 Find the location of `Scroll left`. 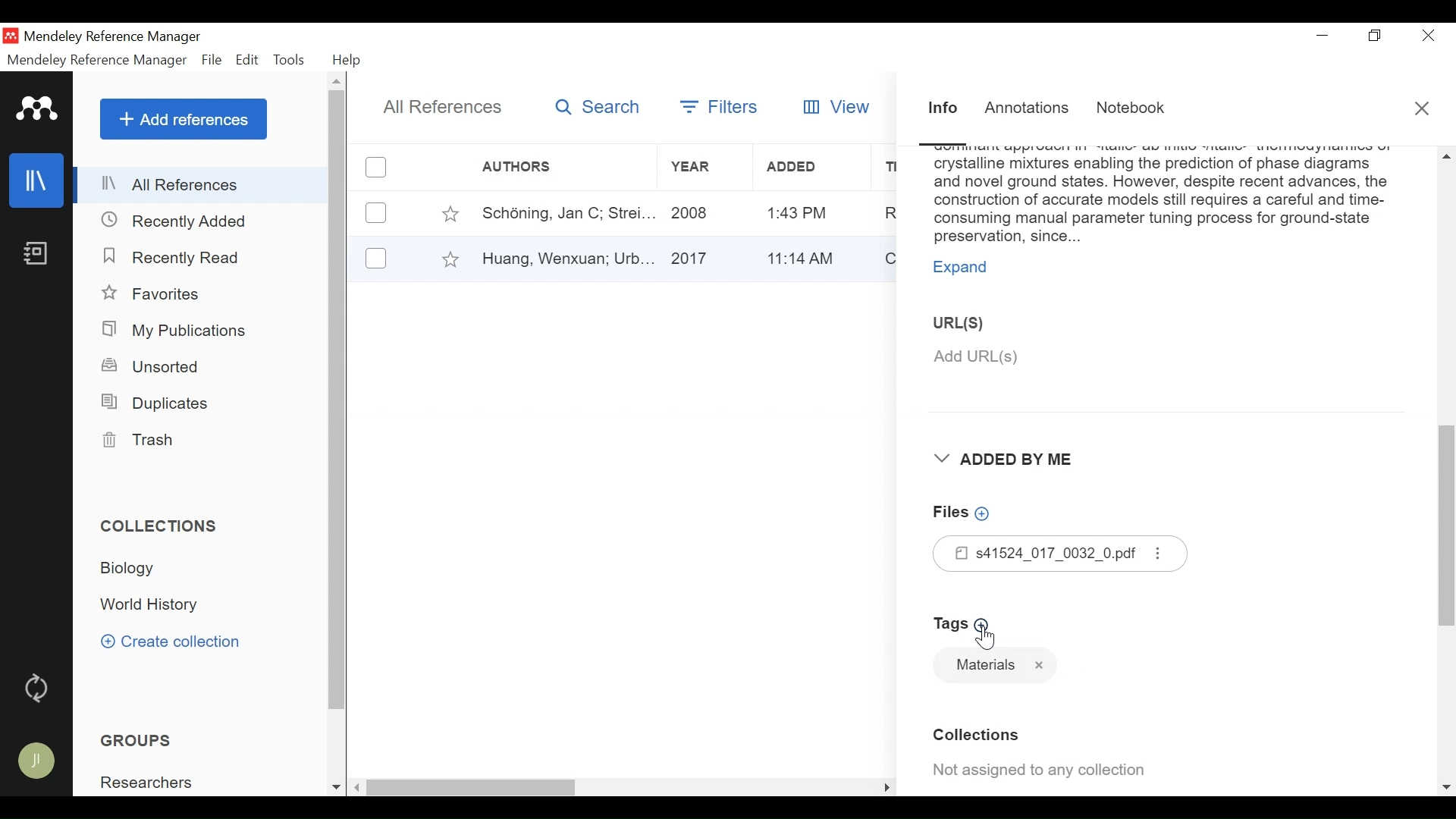

Scroll left is located at coordinates (358, 787).